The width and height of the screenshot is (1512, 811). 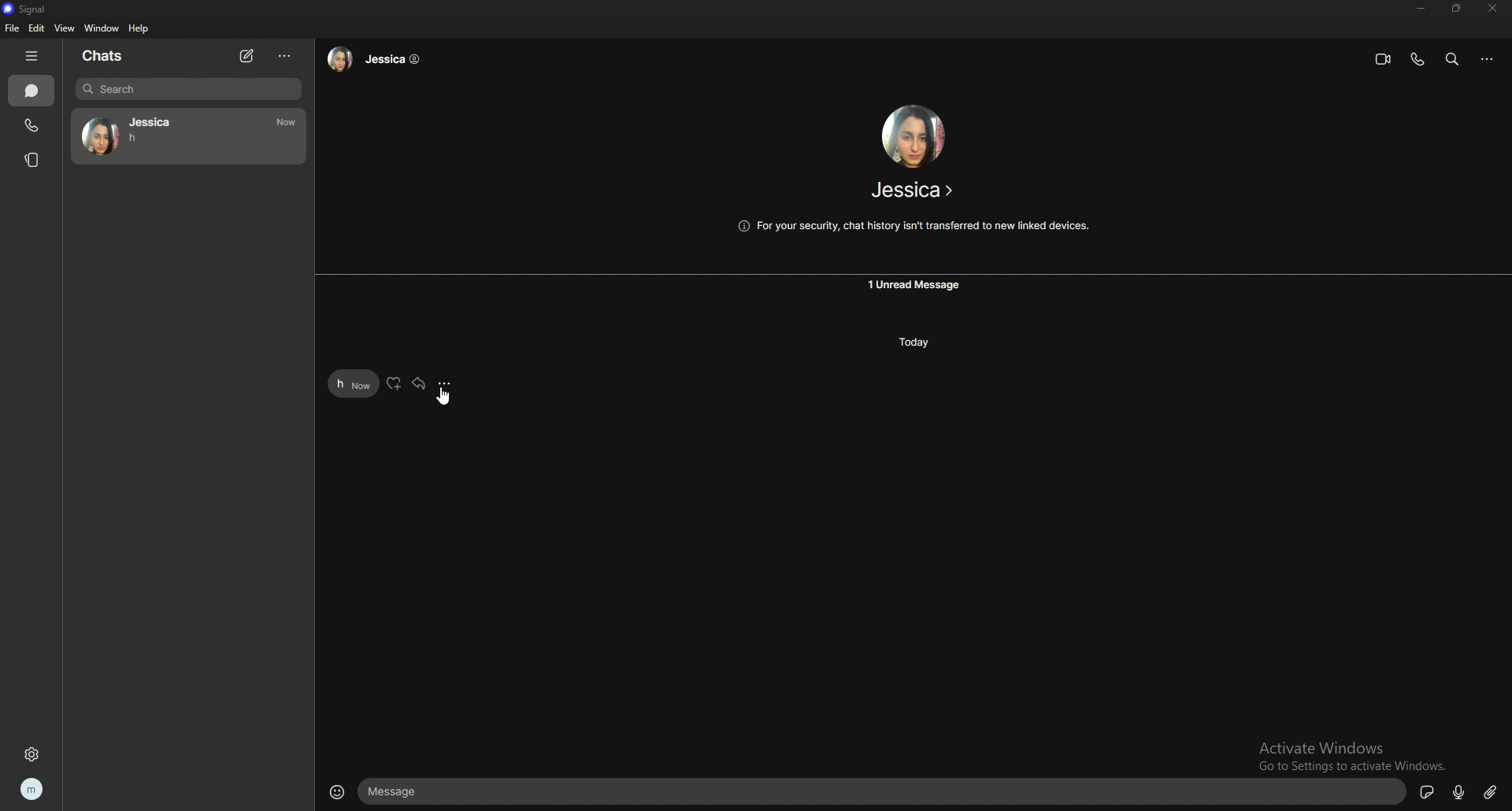 What do you see at coordinates (1428, 791) in the screenshot?
I see `sticker` at bounding box center [1428, 791].